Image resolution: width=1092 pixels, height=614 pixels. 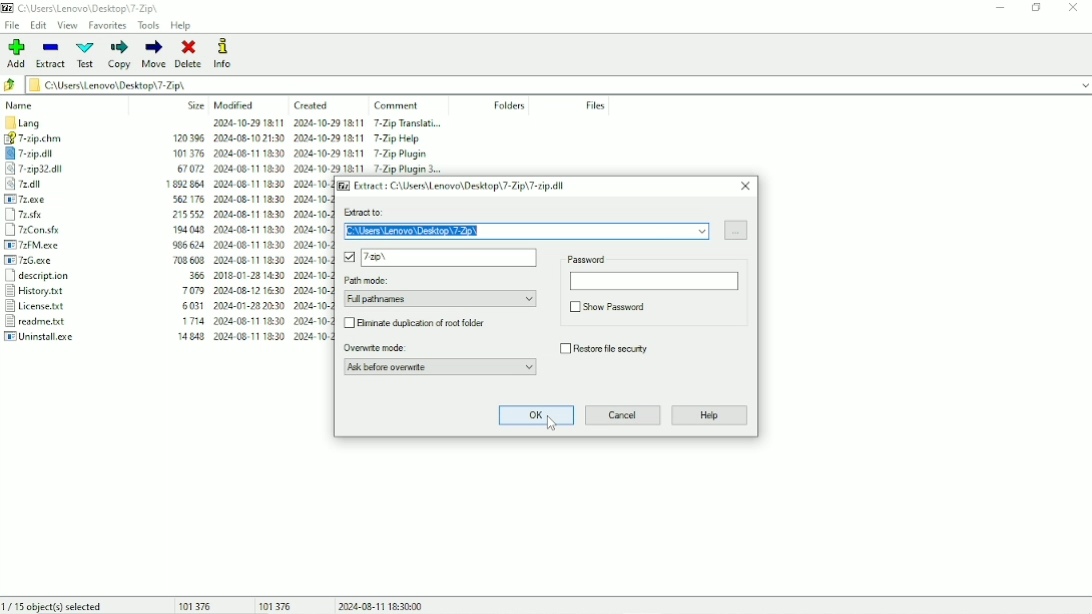 What do you see at coordinates (596, 105) in the screenshot?
I see `Files` at bounding box center [596, 105].